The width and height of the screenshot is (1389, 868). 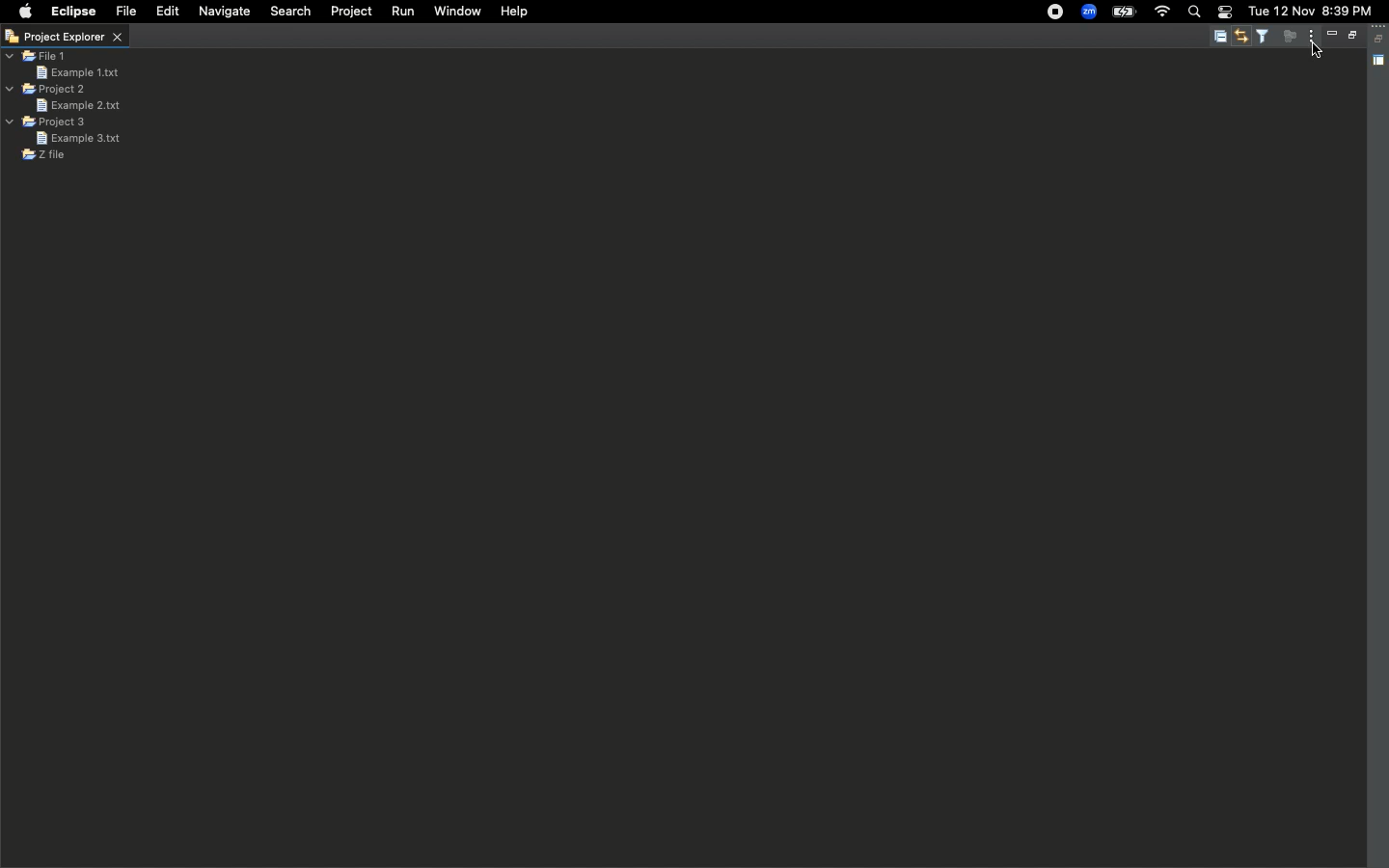 I want to click on Project 2, so click(x=46, y=89).